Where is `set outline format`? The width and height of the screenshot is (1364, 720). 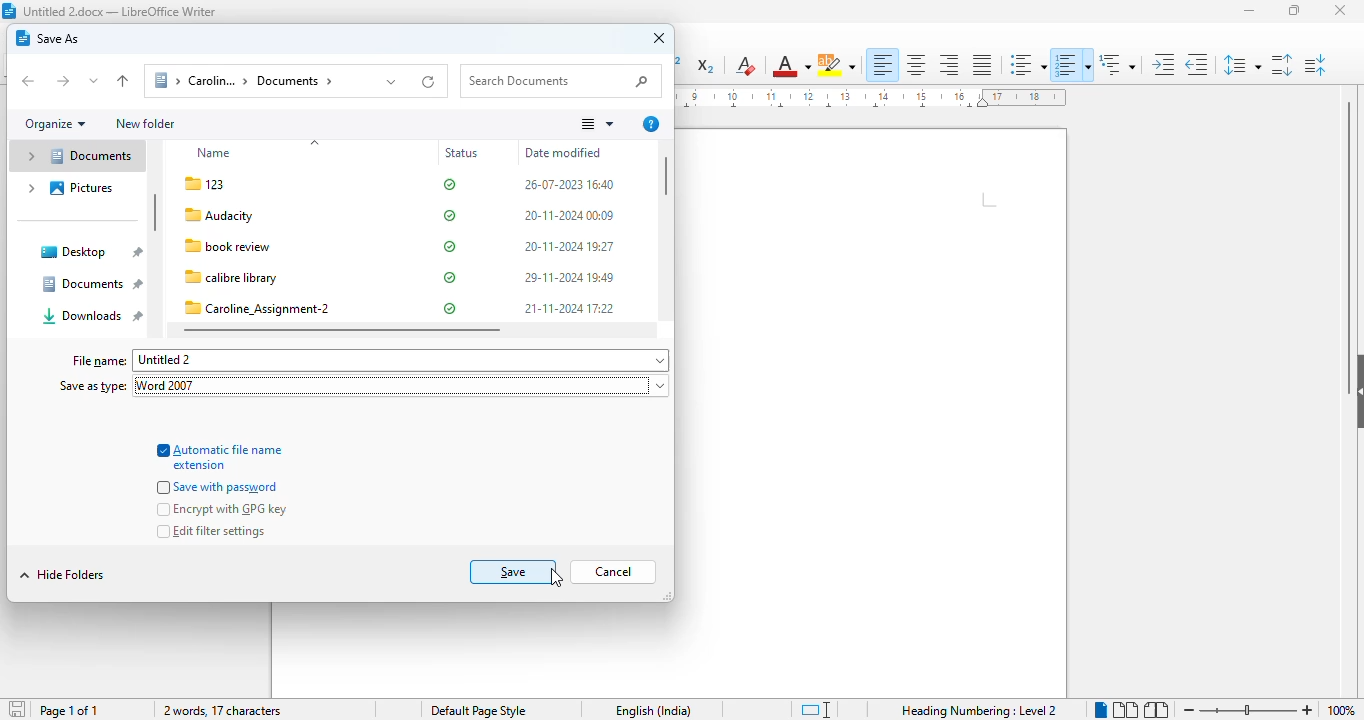 set outline format is located at coordinates (1117, 63).